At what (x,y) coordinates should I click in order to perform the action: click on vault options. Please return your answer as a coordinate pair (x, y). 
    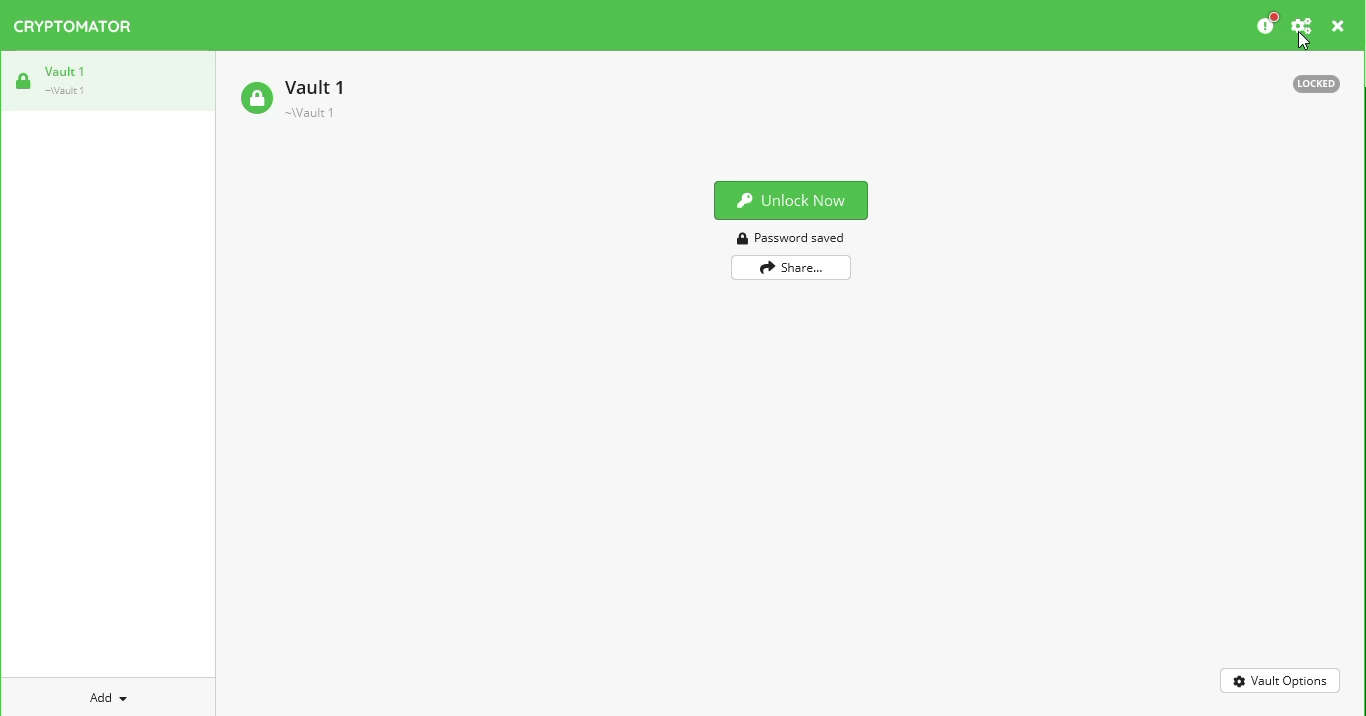
    Looking at the image, I should click on (1280, 681).